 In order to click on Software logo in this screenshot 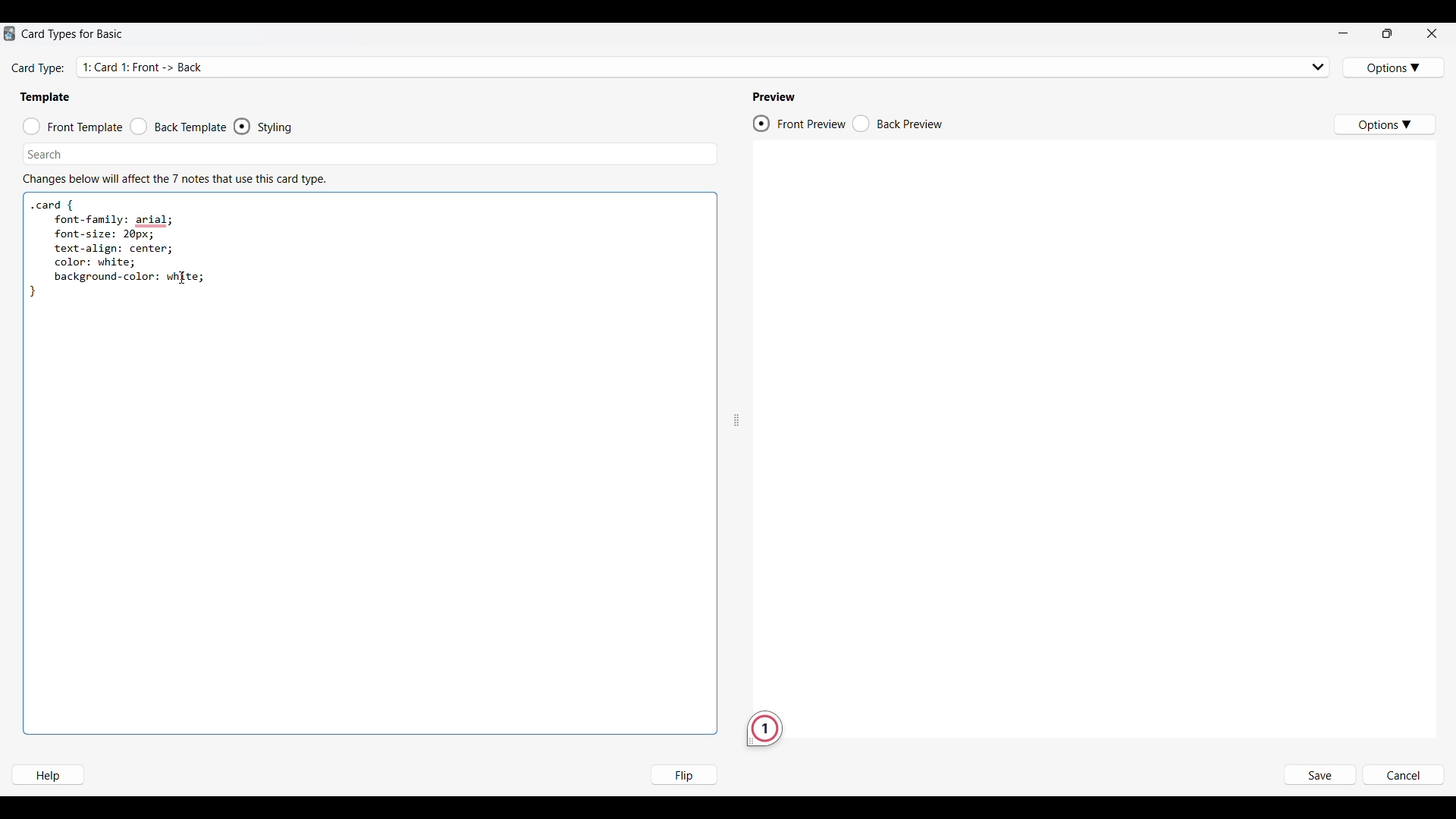, I will do `click(9, 33)`.